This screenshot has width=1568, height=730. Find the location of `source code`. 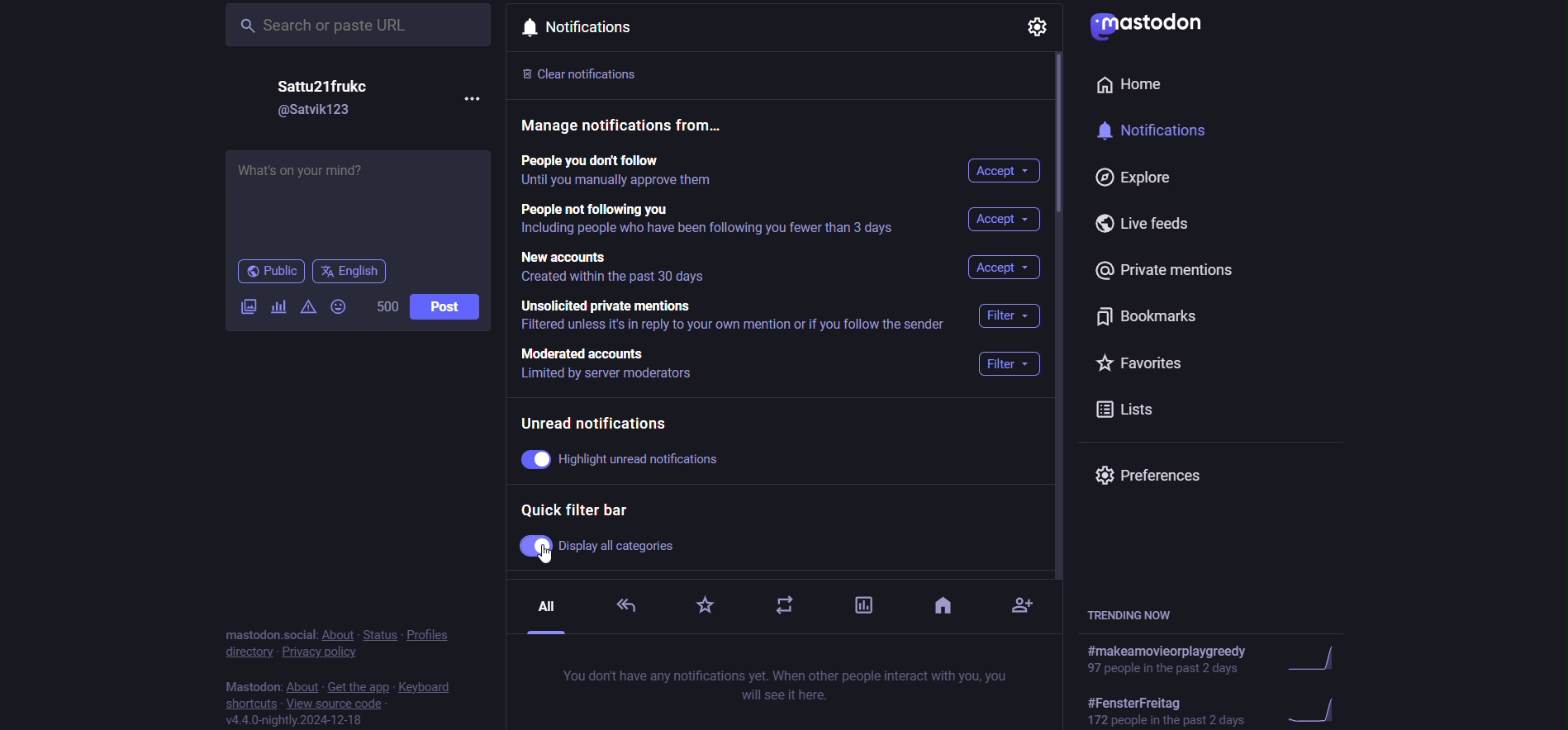

source code is located at coordinates (335, 704).